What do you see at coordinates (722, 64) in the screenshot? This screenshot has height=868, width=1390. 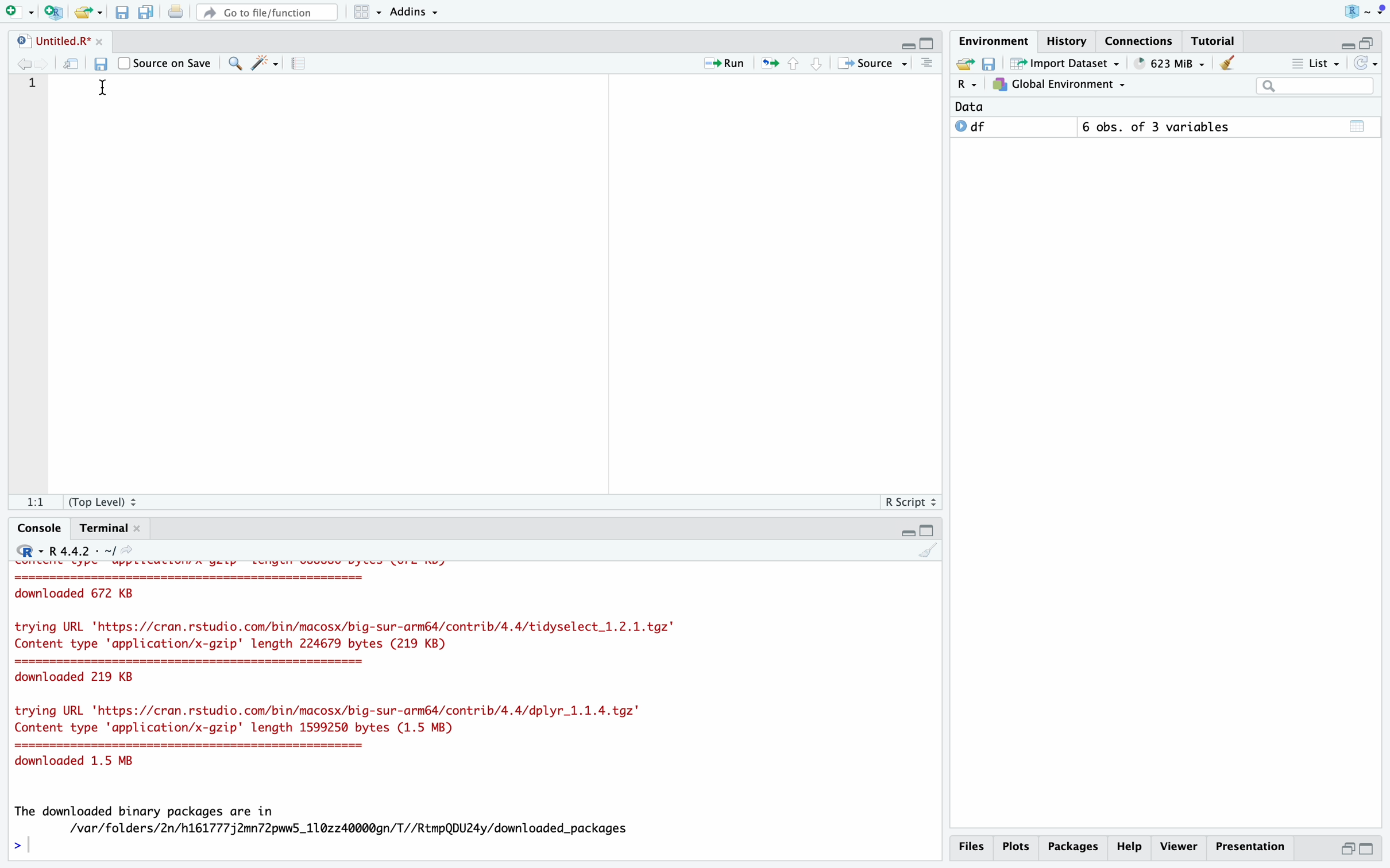 I see `Run current line` at bounding box center [722, 64].